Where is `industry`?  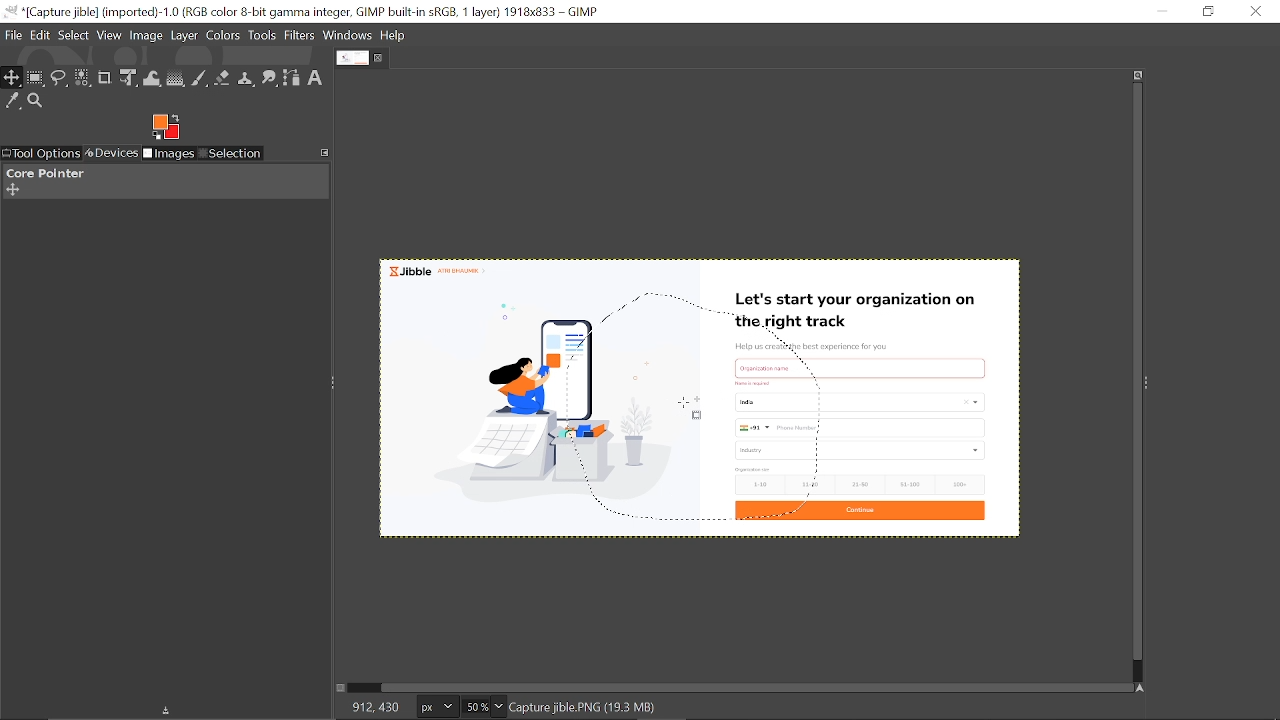
industry is located at coordinates (862, 450).